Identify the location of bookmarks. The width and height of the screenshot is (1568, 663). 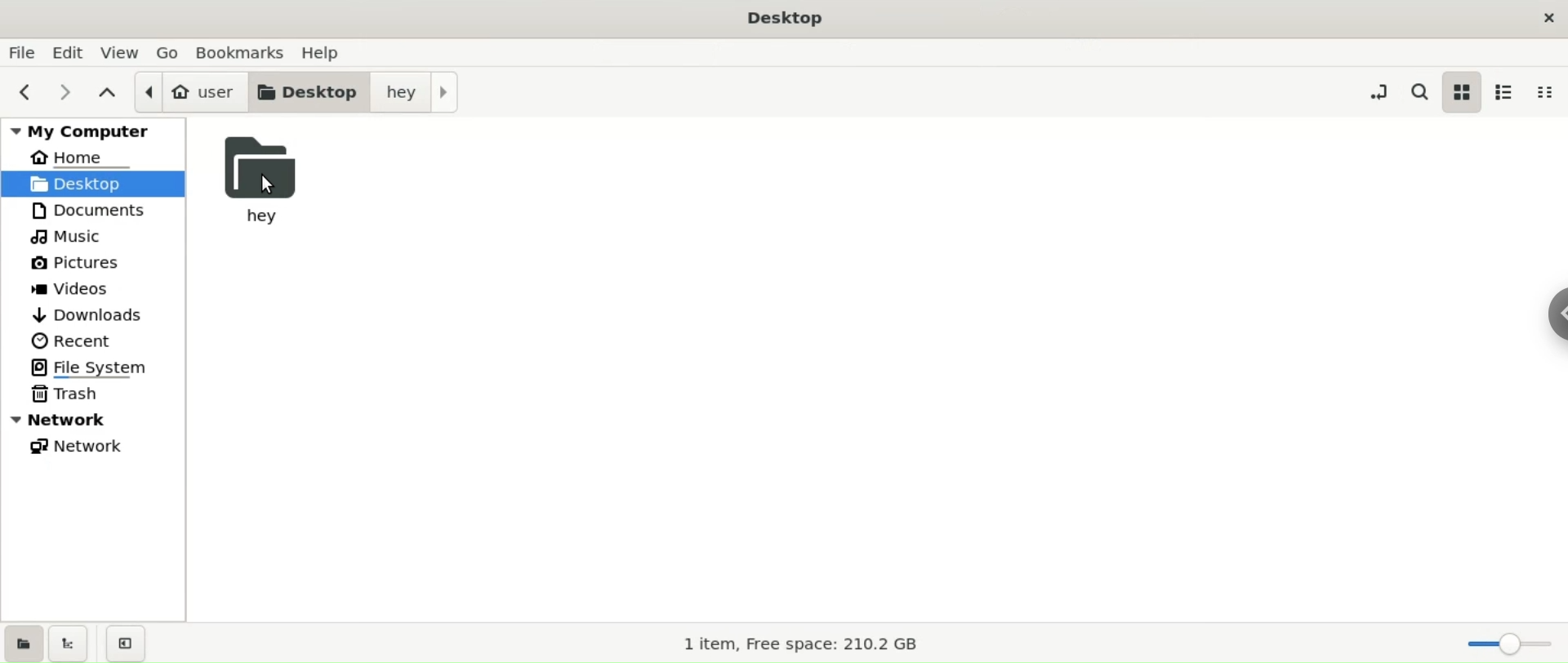
(240, 51).